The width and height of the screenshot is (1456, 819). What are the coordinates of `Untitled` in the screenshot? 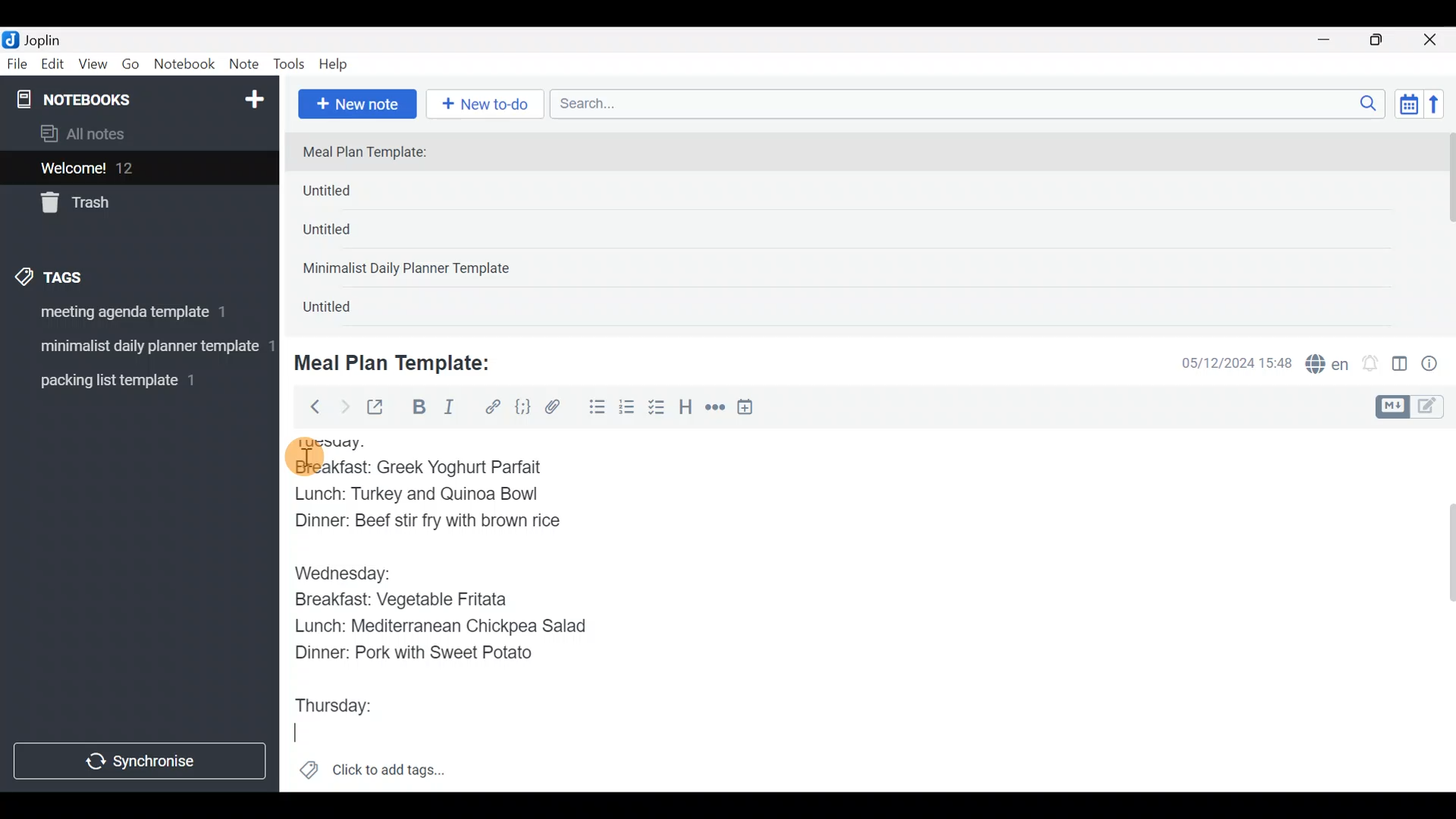 It's located at (352, 194).